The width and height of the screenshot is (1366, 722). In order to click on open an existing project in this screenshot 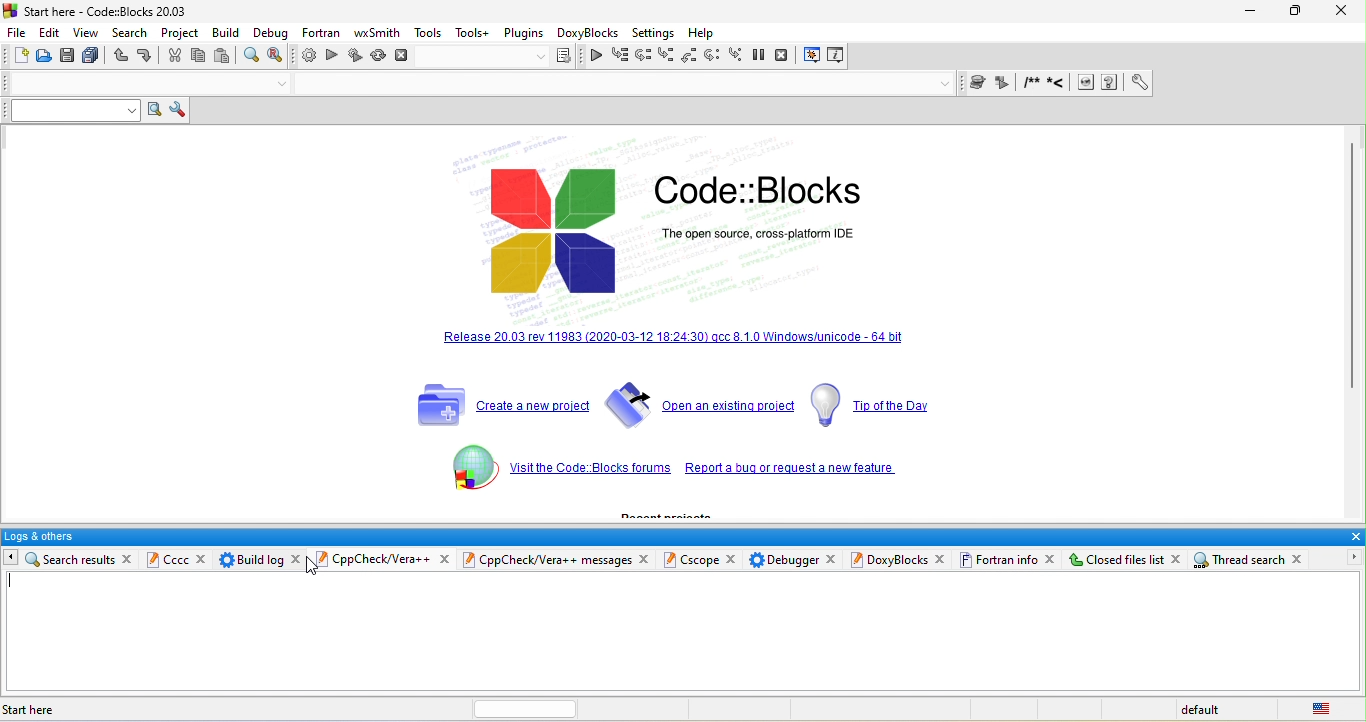, I will do `click(699, 404)`.